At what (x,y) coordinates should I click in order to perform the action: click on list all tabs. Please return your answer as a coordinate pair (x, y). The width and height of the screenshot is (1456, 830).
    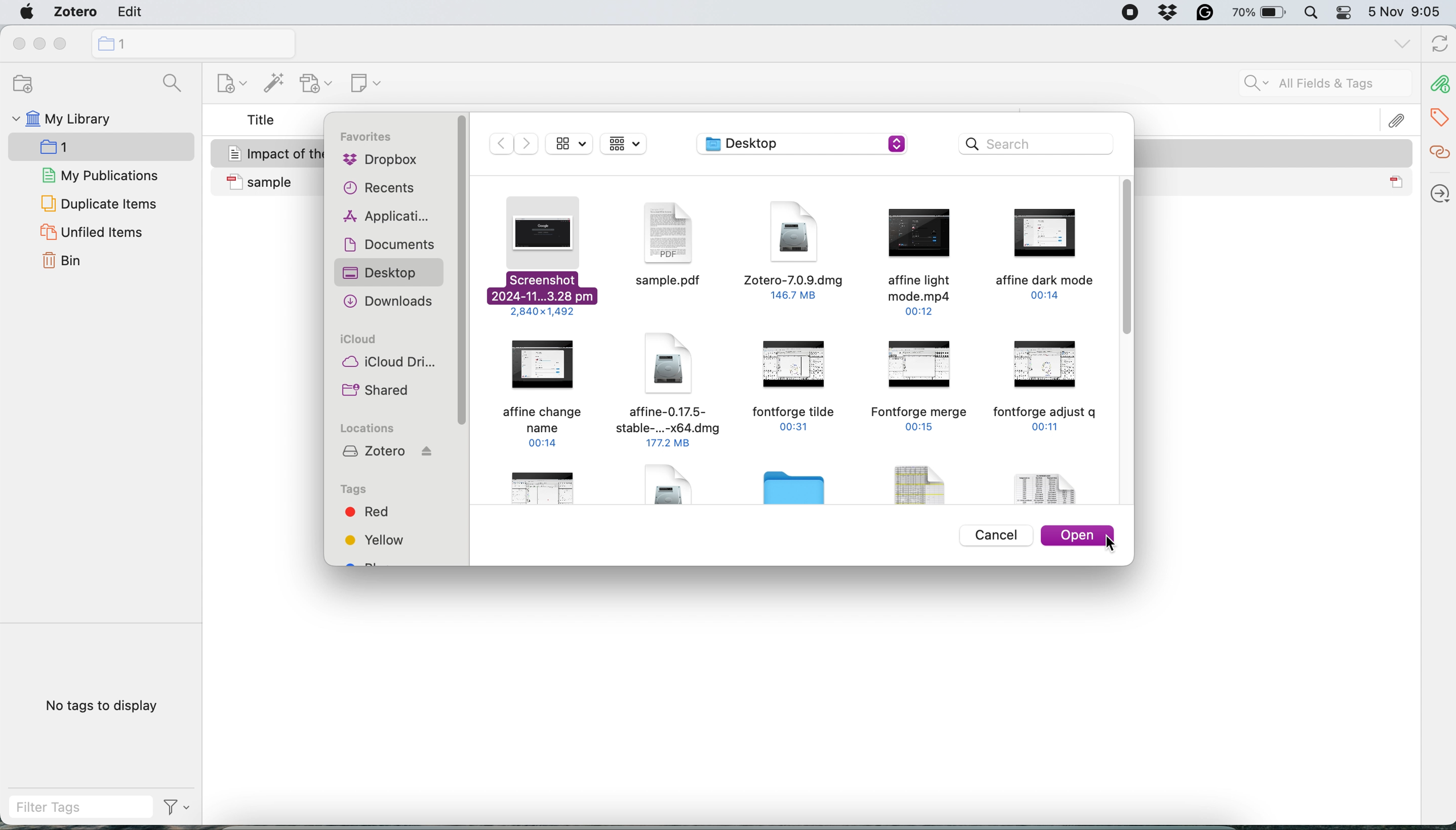
    Looking at the image, I should click on (1400, 44).